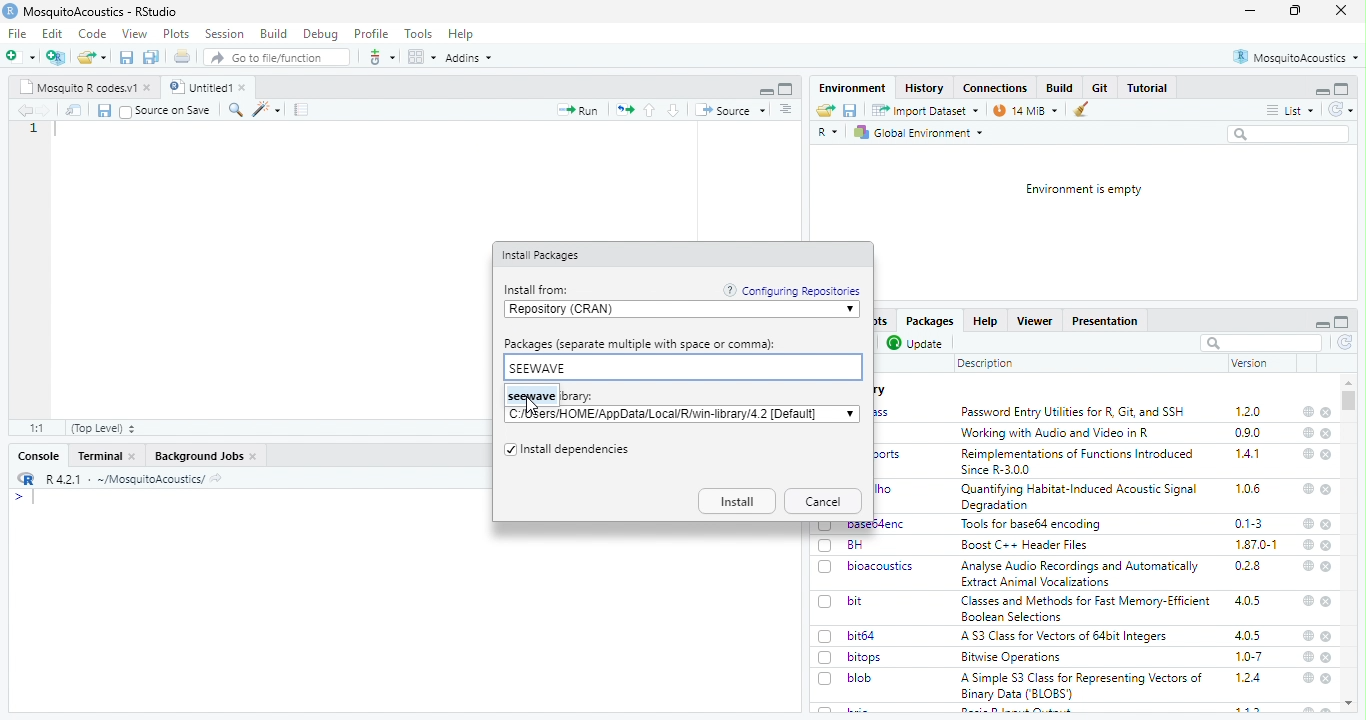 This screenshot has height=720, width=1366. I want to click on BH, so click(855, 545).